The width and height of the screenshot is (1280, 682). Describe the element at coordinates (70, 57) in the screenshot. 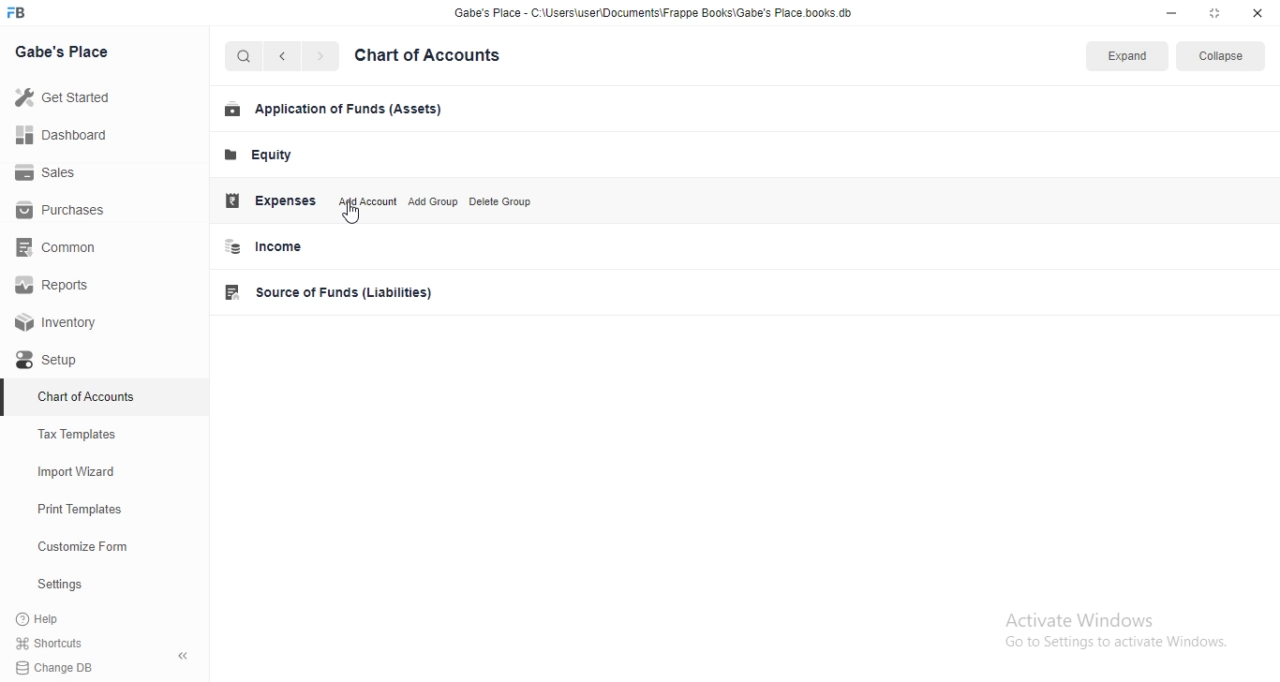

I see `Gabe's Place` at that location.